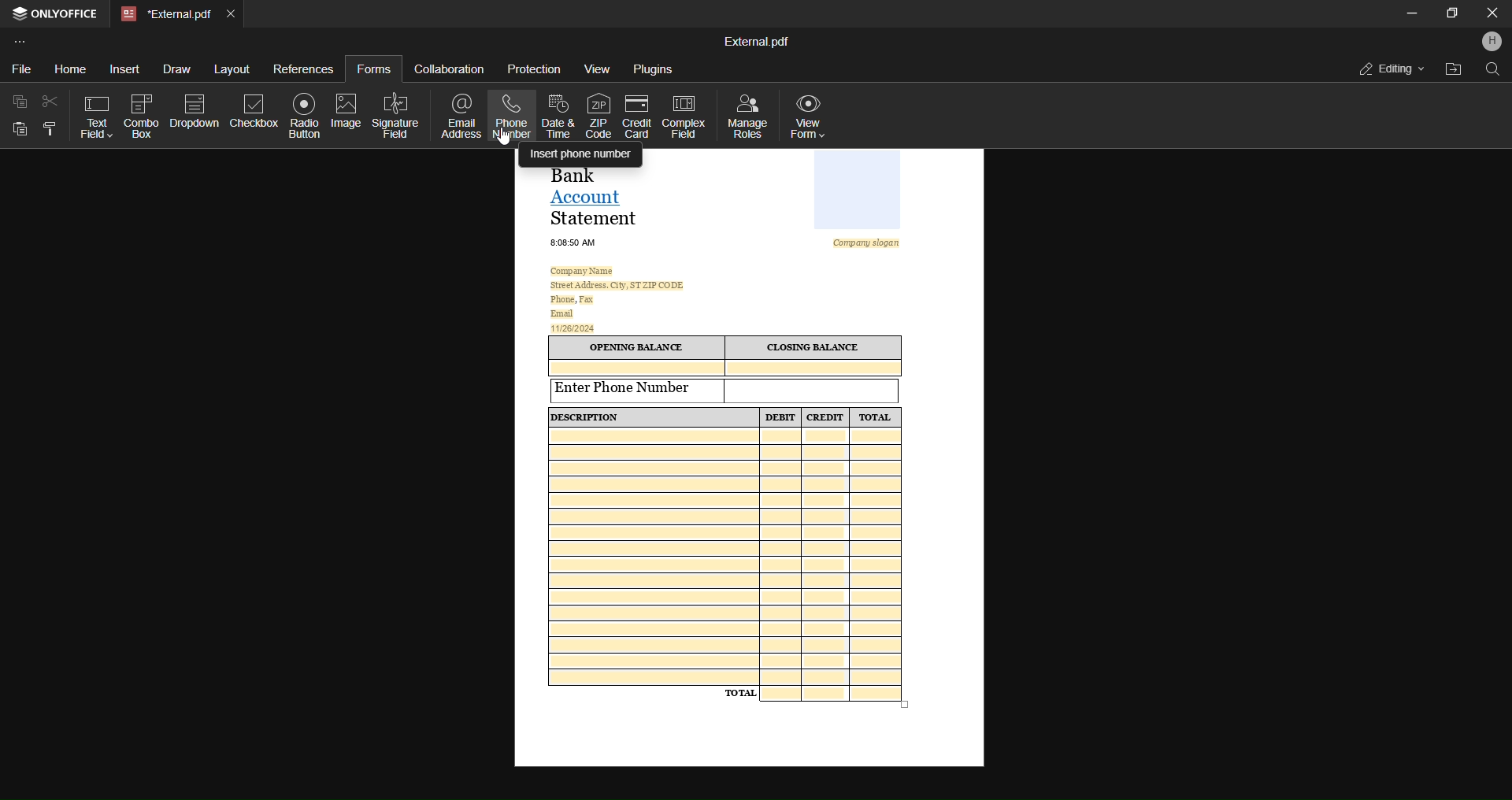 Image resolution: width=1512 pixels, height=800 pixels. Describe the element at coordinates (164, 15) in the screenshot. I see `External.pdf(current open tab)` at that location.